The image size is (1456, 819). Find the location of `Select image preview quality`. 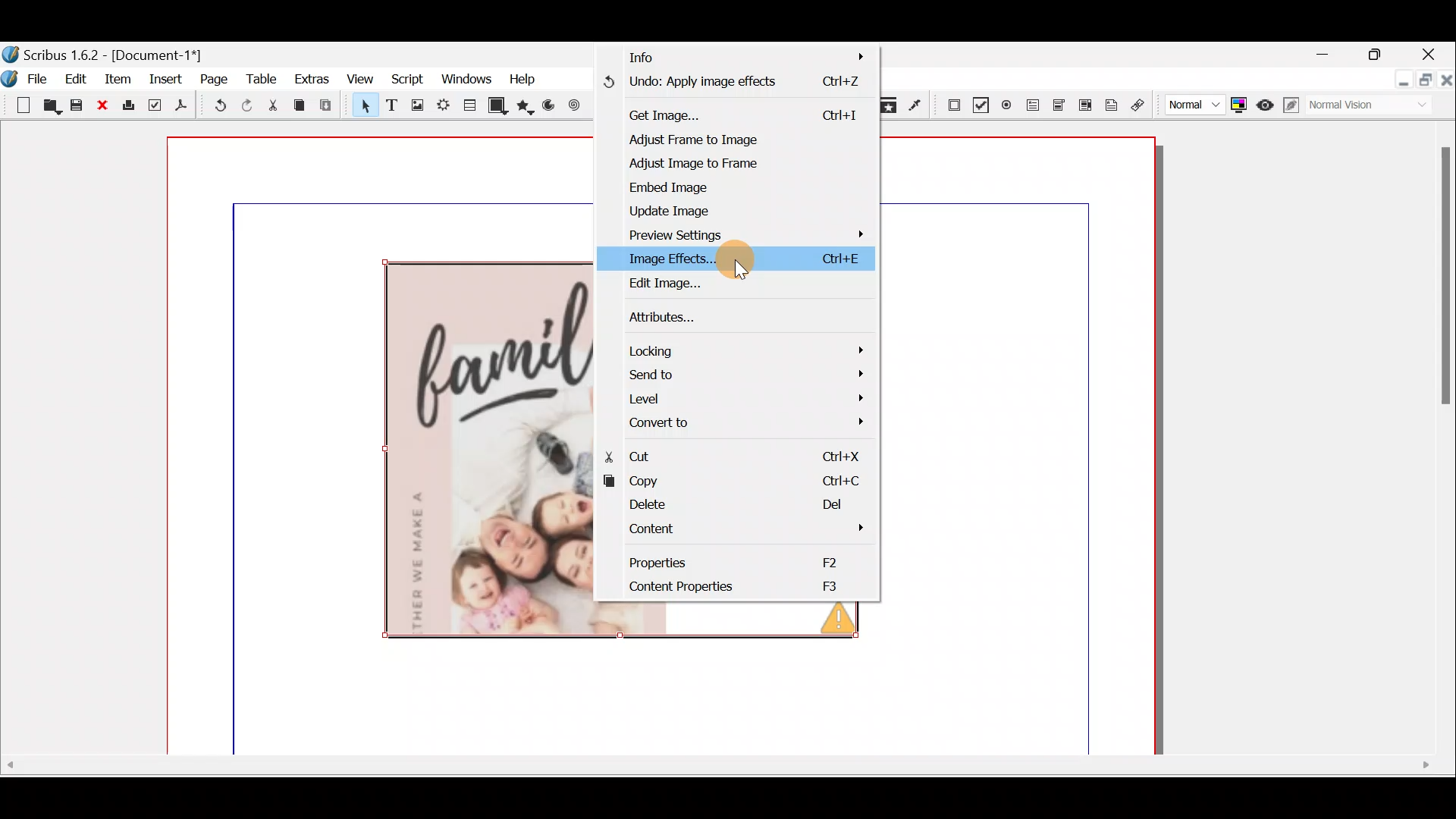

Select image preview quality is located at coordinates (1188, 106).